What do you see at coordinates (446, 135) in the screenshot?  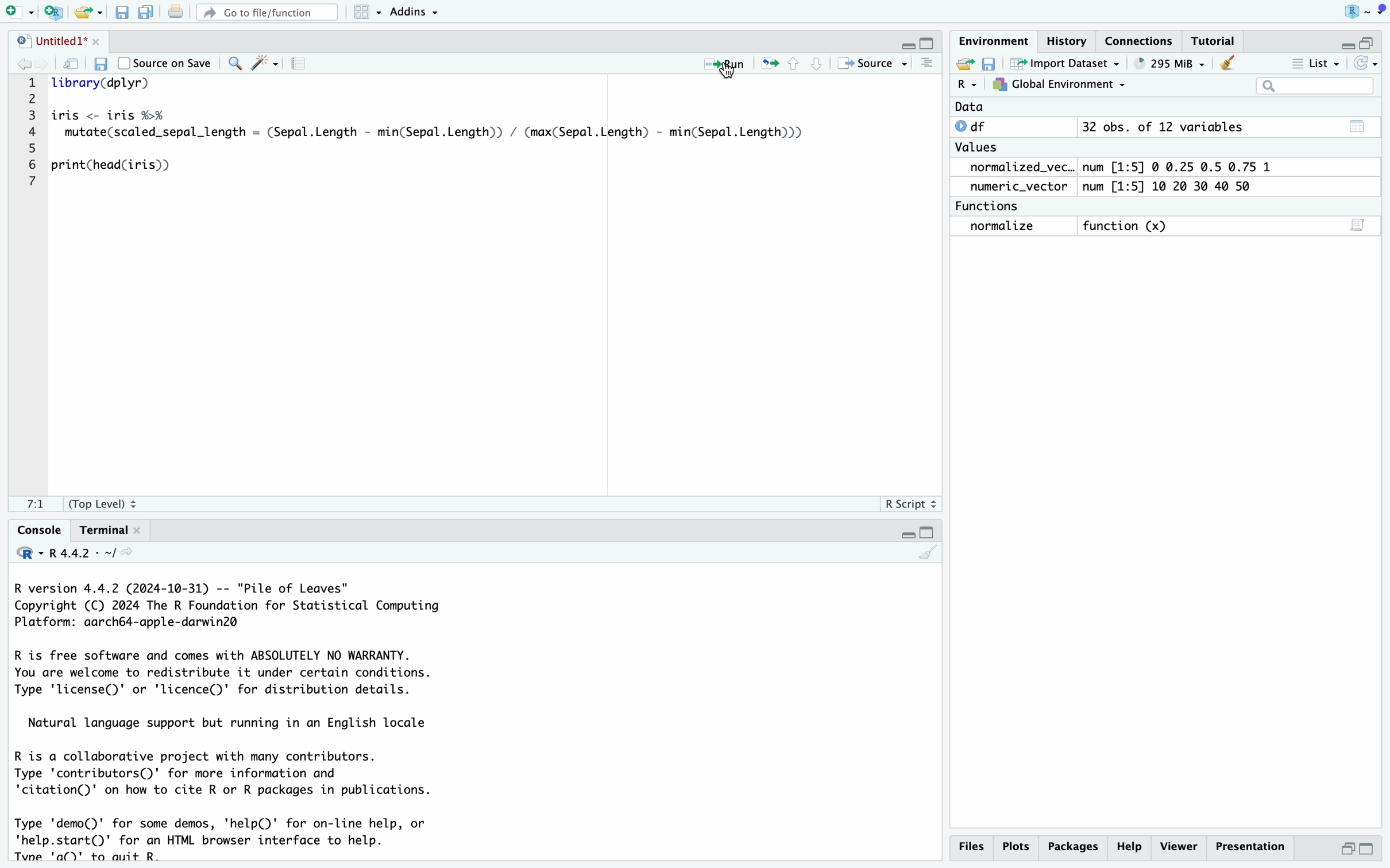 I see `Code` at bounding box center [446, 135].